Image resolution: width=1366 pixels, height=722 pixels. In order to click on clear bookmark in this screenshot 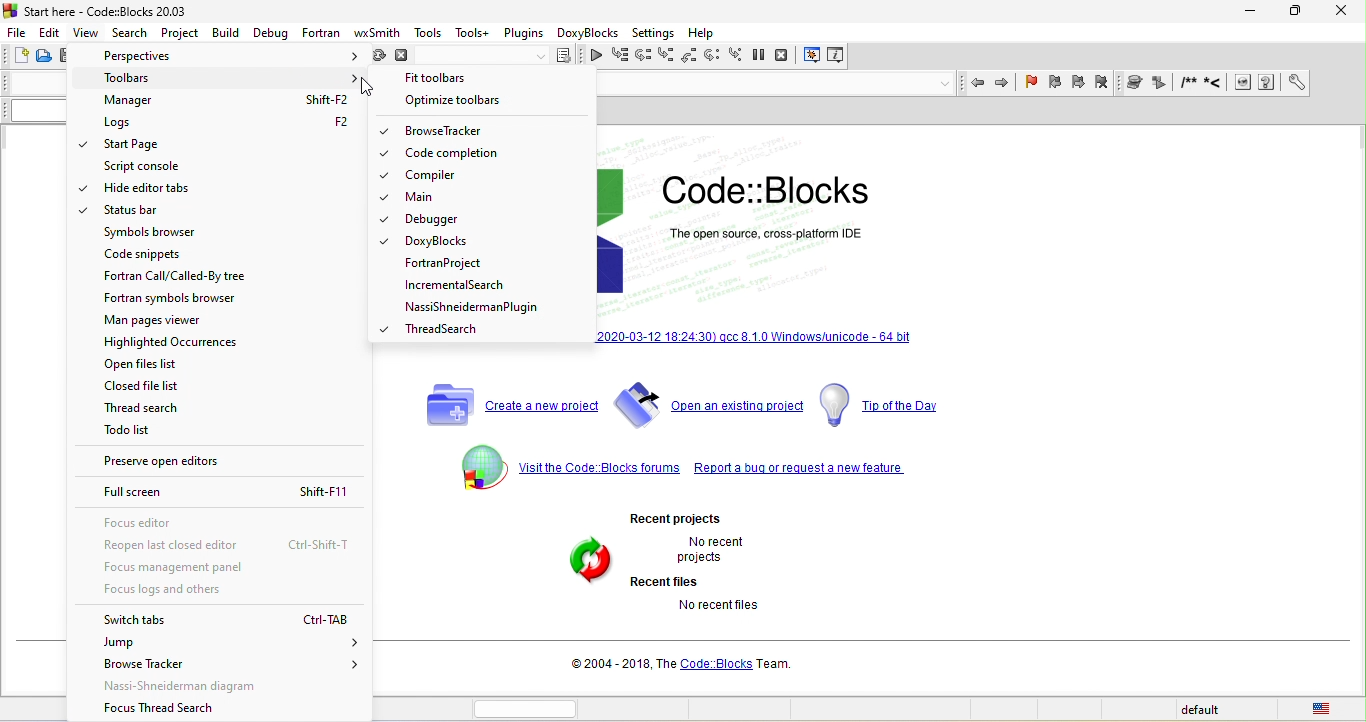, I will do `click(1107, 83)`.